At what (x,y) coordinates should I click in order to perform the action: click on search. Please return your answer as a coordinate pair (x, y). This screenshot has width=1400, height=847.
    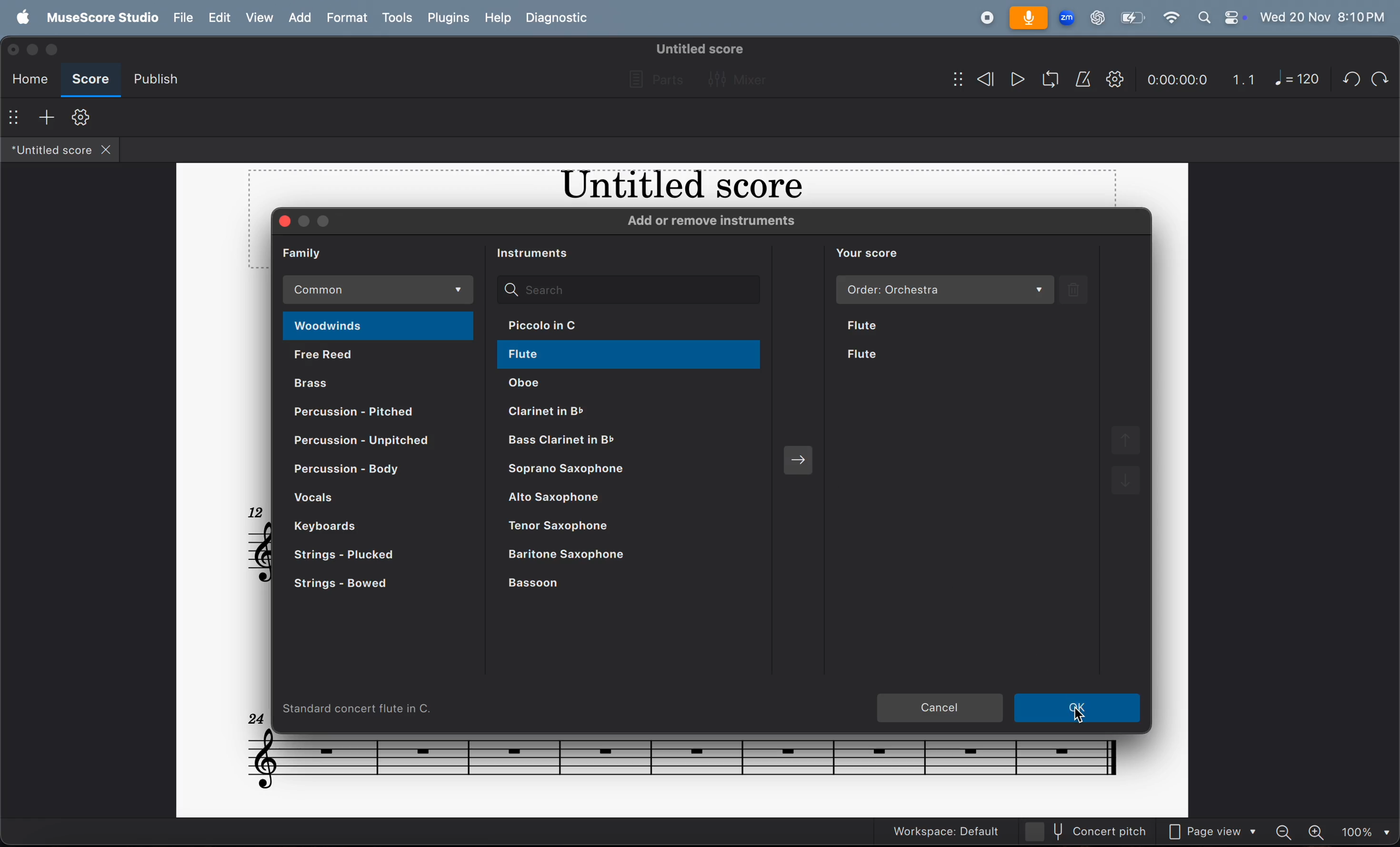
    Looking at the image, I should click on (1204, 16).